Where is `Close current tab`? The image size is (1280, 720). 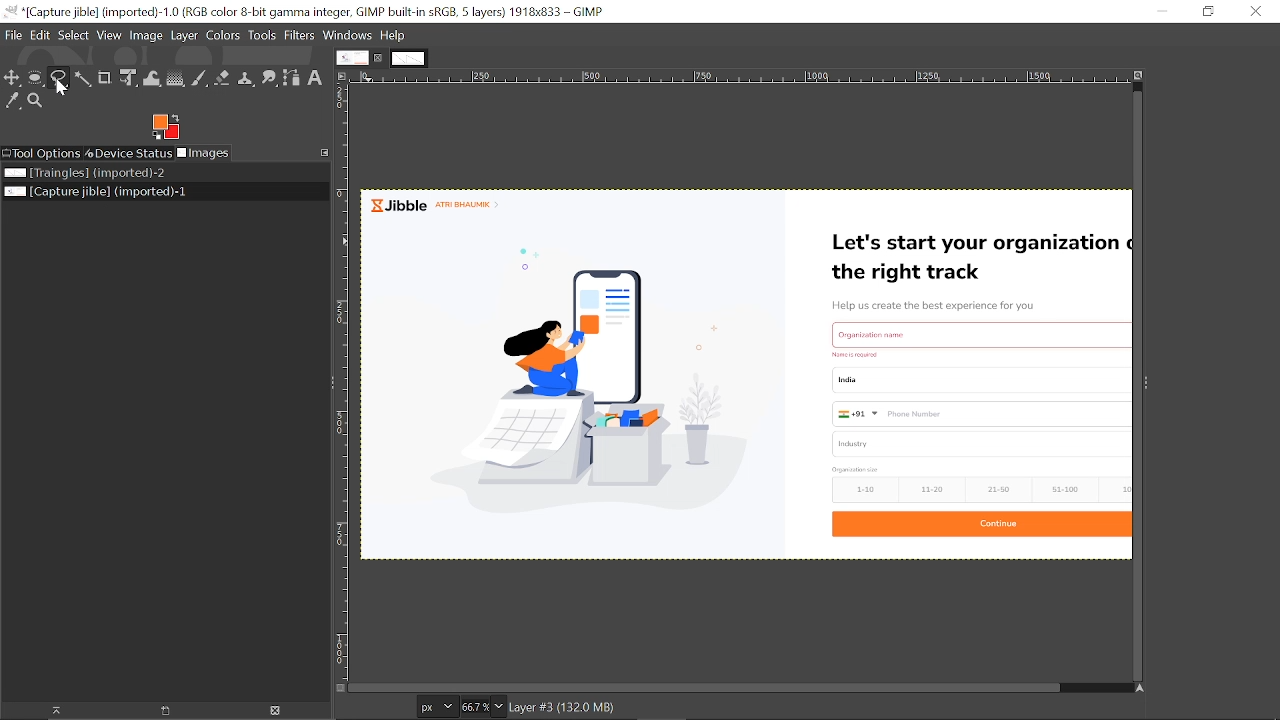
Close current tab is located at coordinates (380, 58).